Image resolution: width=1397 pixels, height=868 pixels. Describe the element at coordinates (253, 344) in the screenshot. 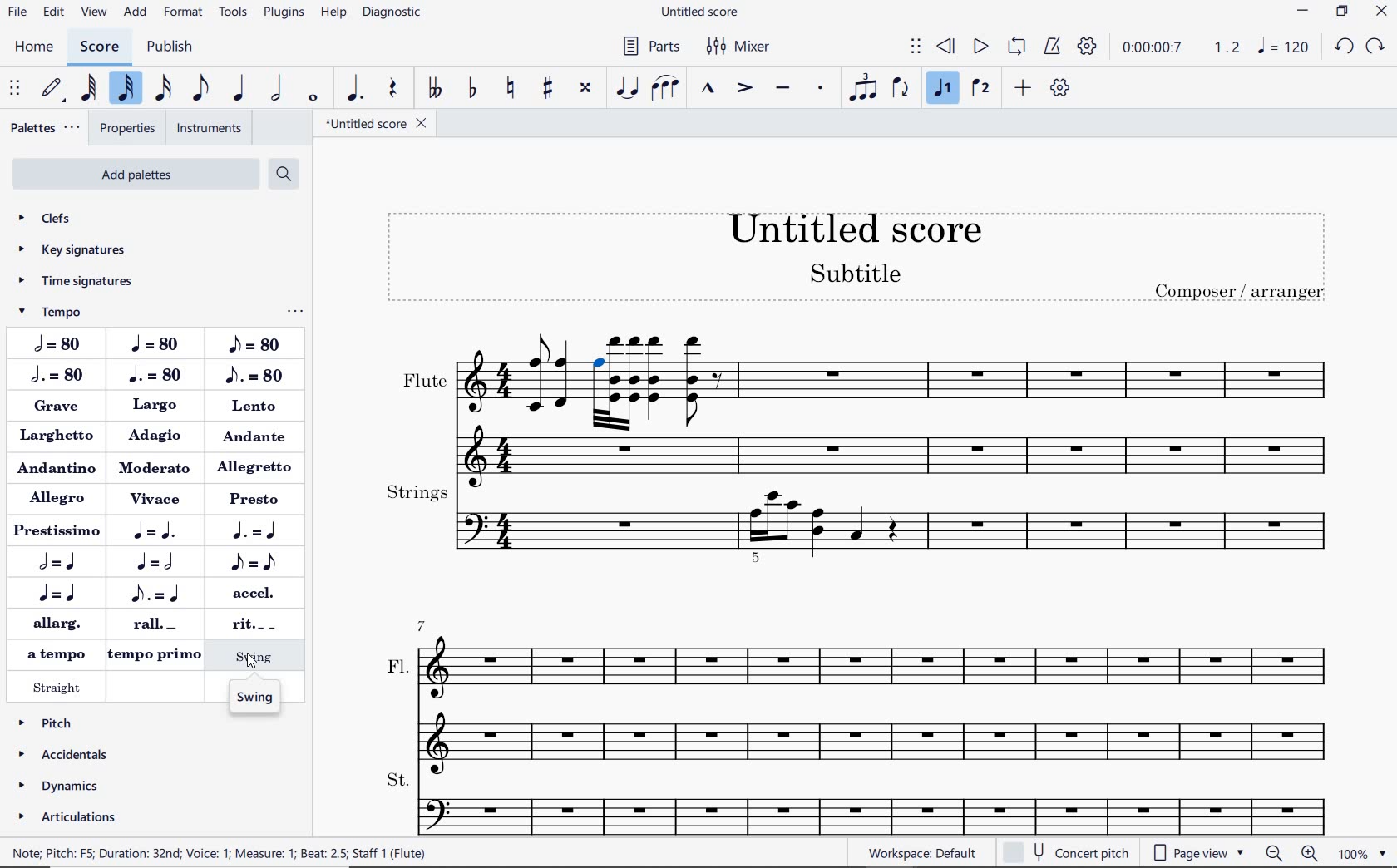

I see `EIGHTH NOTE` at that location.